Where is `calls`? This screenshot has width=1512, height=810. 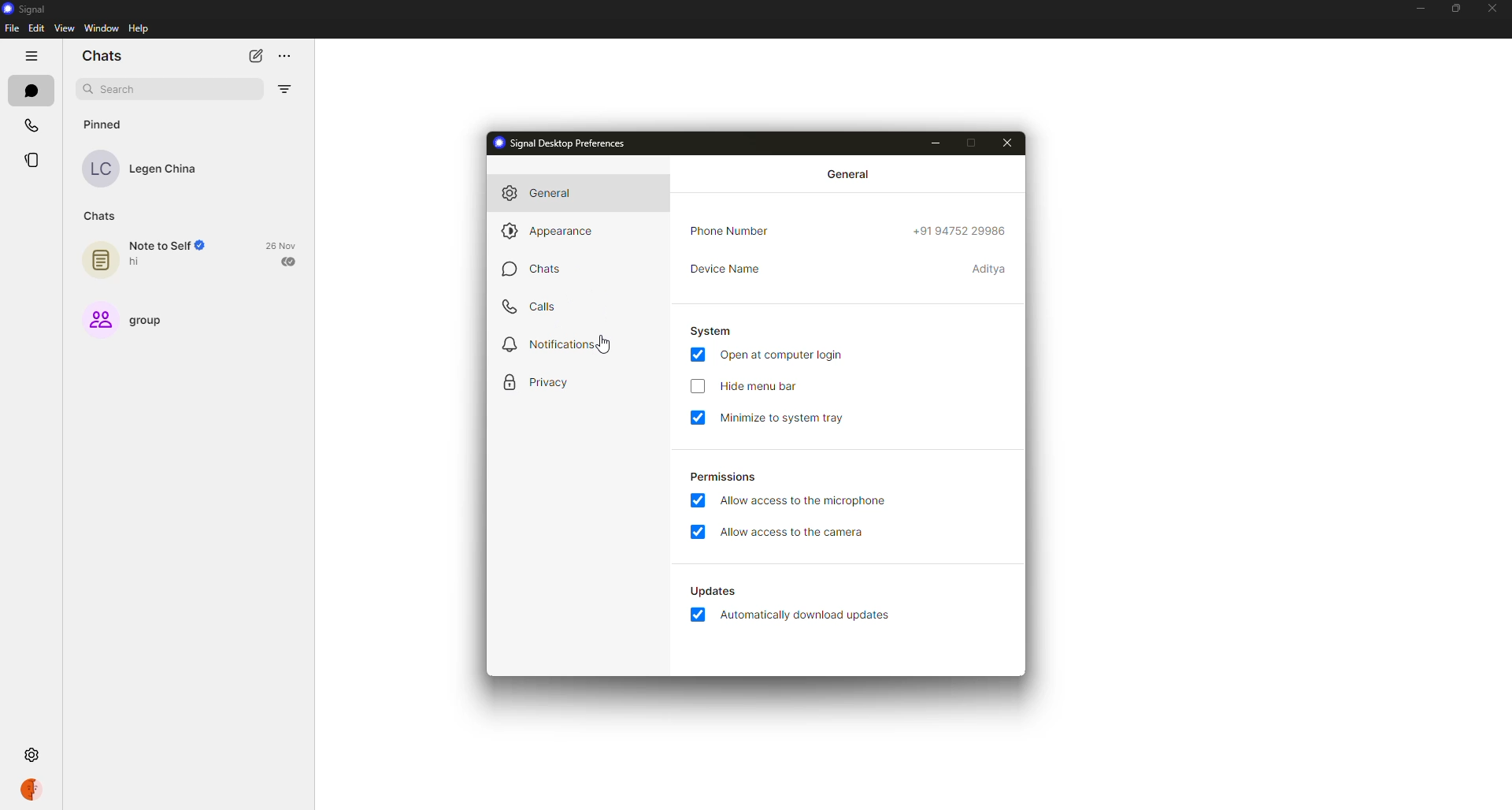
calls is located at coordinates (31, 124).